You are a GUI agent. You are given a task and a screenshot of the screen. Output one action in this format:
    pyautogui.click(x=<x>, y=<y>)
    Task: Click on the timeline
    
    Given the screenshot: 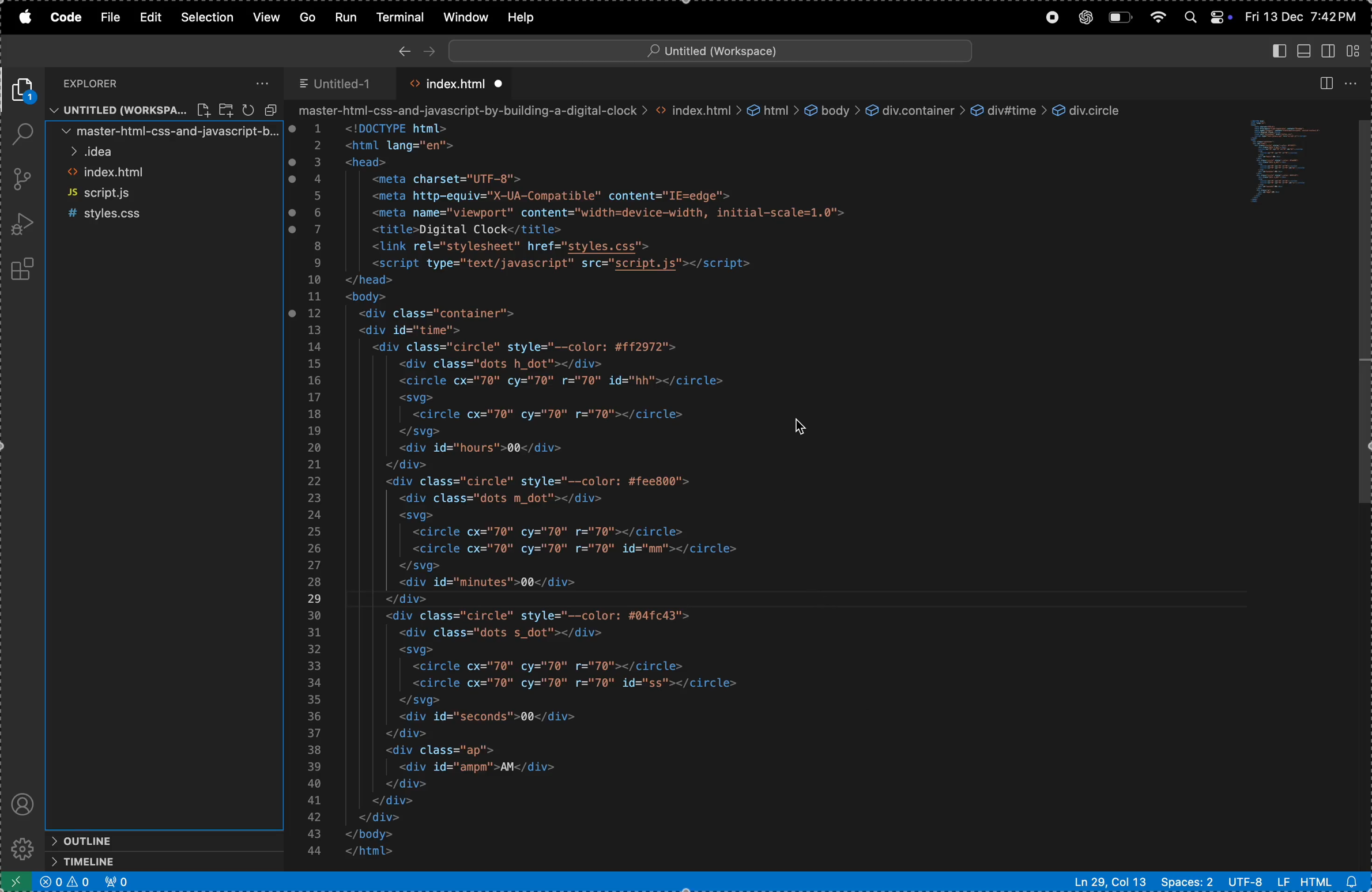 What is the action you would take?
    pyautogui.click(x=142, y=861)
    